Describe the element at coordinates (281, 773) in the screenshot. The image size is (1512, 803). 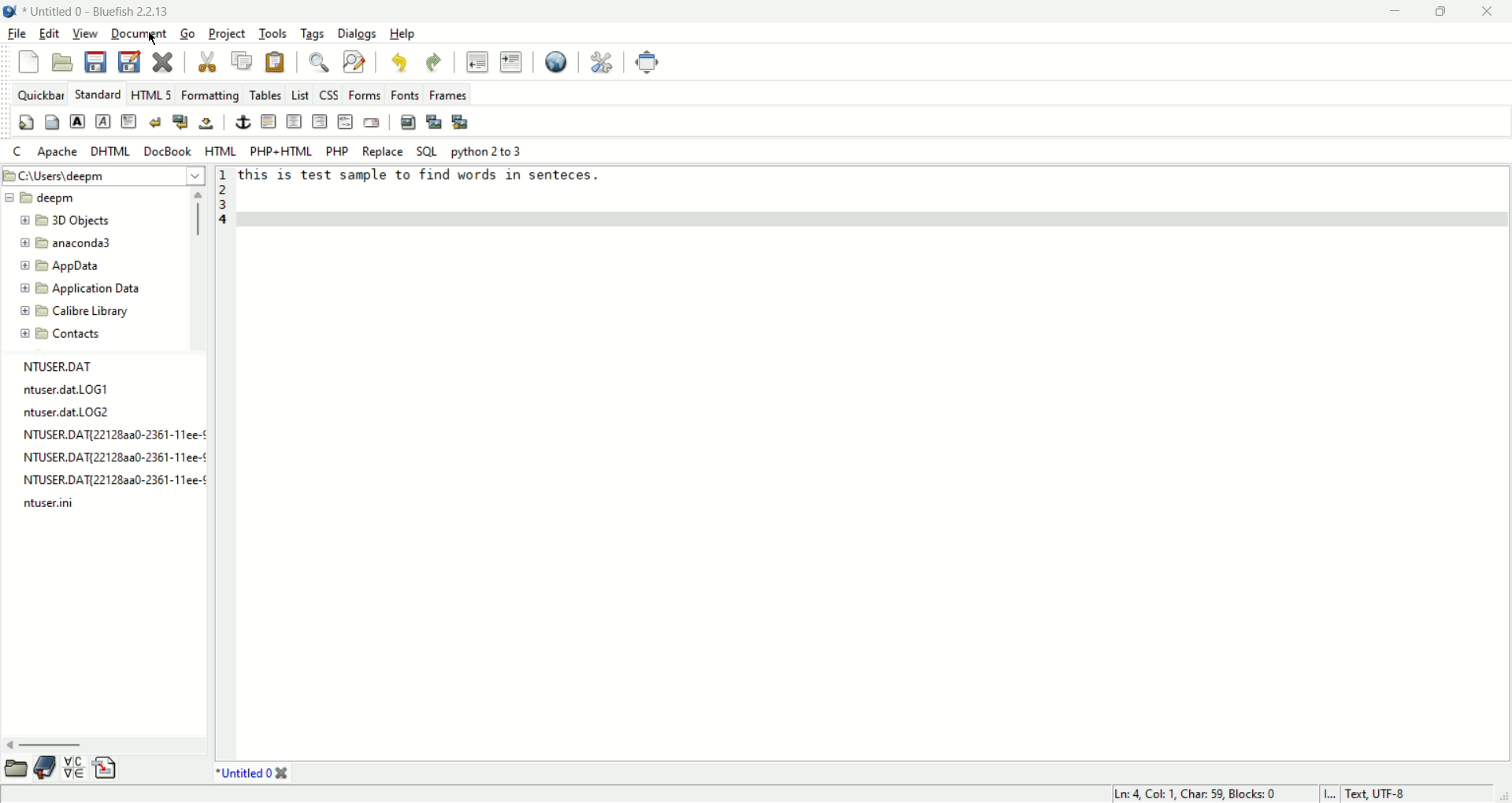
I see `Close tab` at that location.